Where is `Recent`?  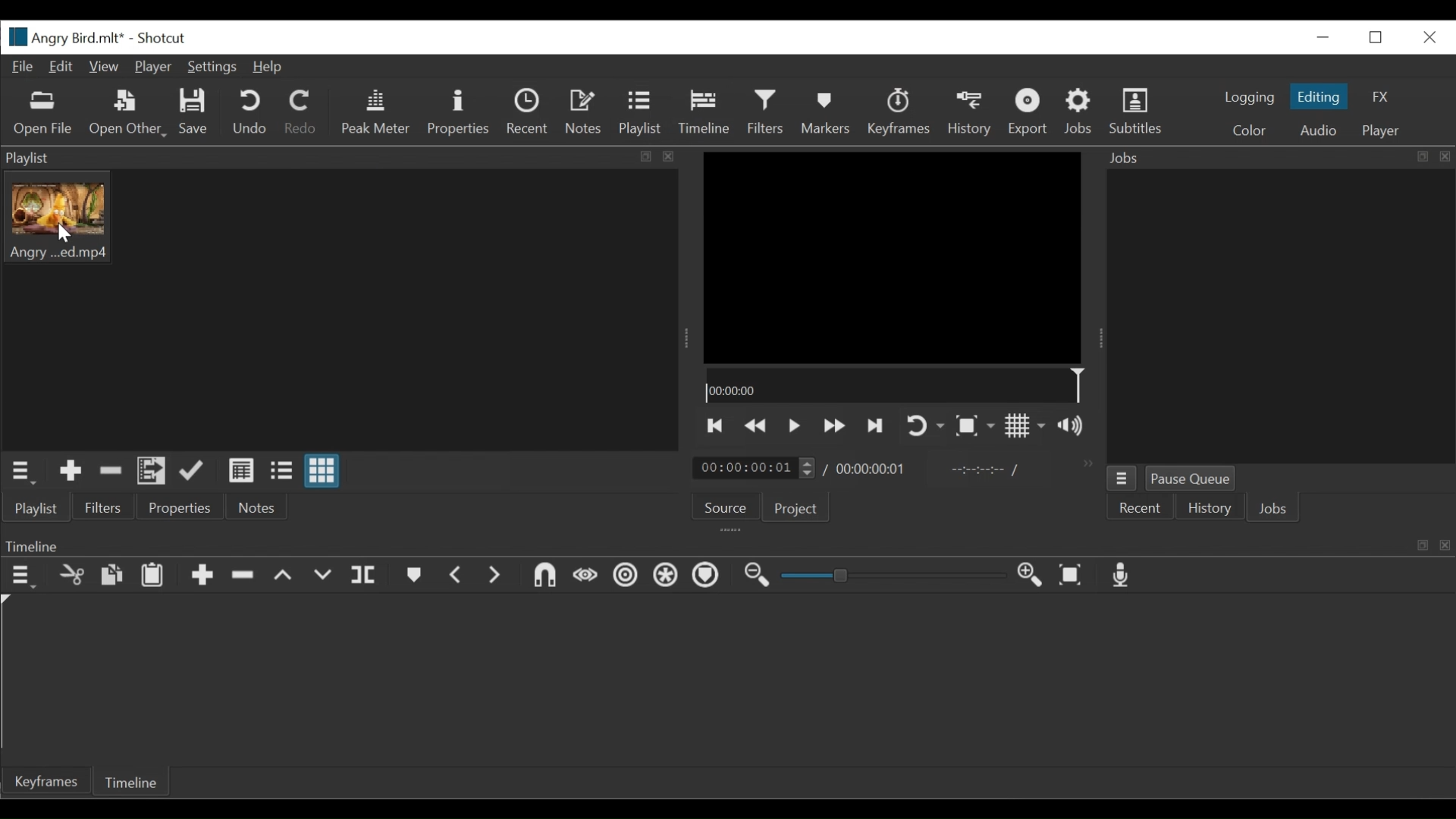
Recent is located at coordinates (1143, 508).